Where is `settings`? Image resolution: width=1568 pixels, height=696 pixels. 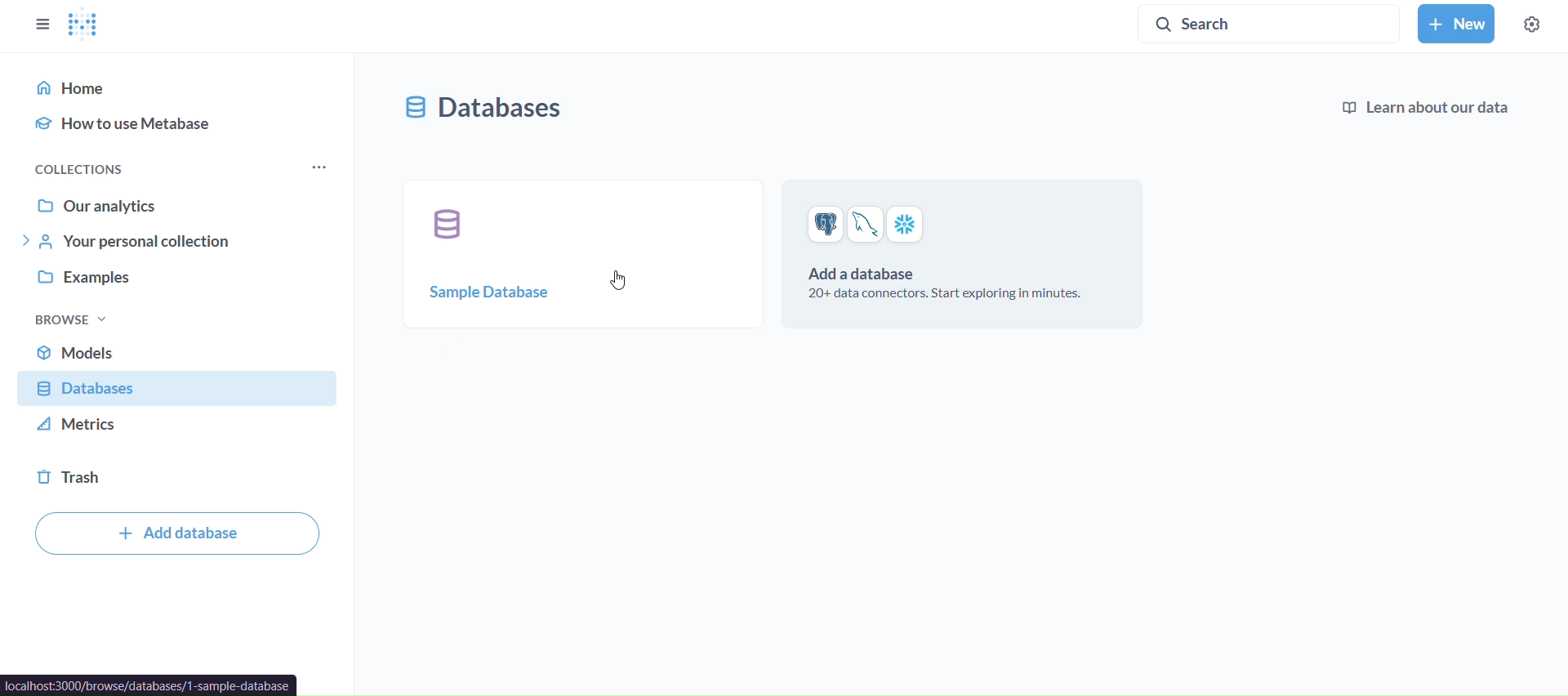 settings is located at coordinates (1532, 24).